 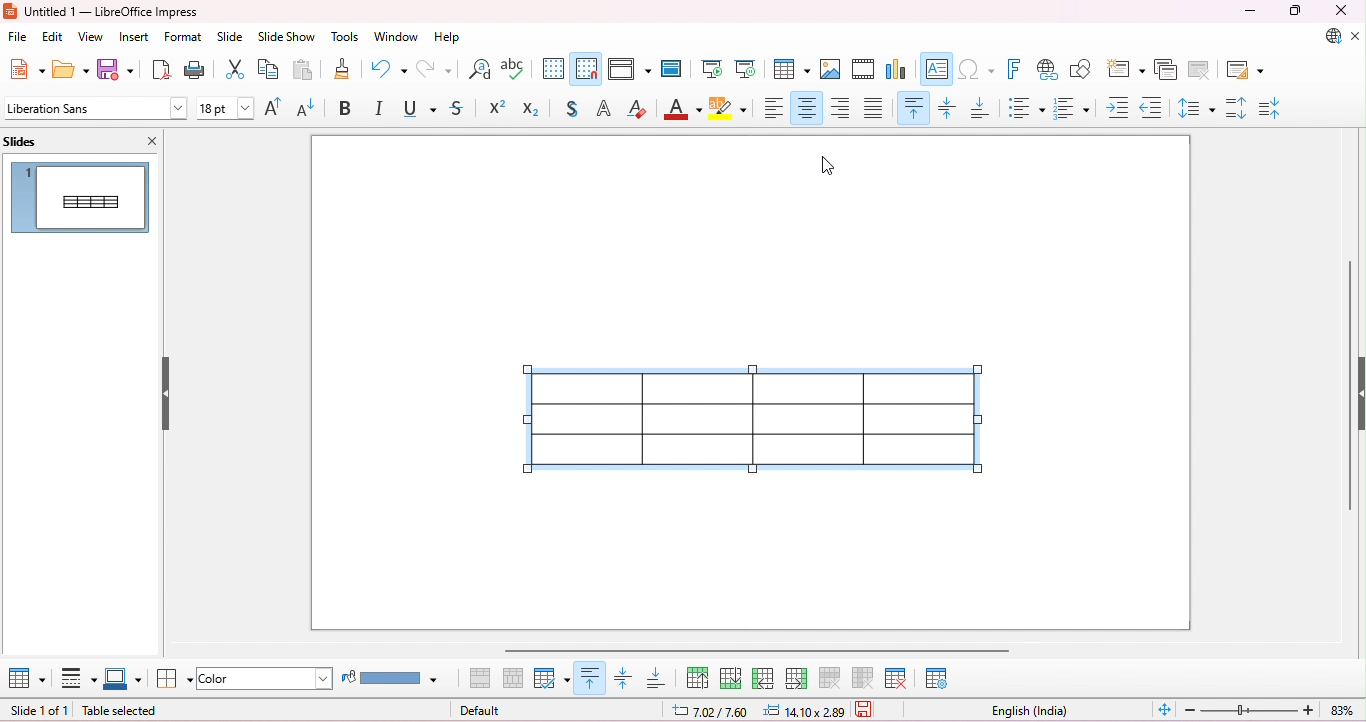 What do you see at coordinates (102, 11) in the screenshot?
I see `untitled 1- libreoffice impress` at bounding box center [102, 11].